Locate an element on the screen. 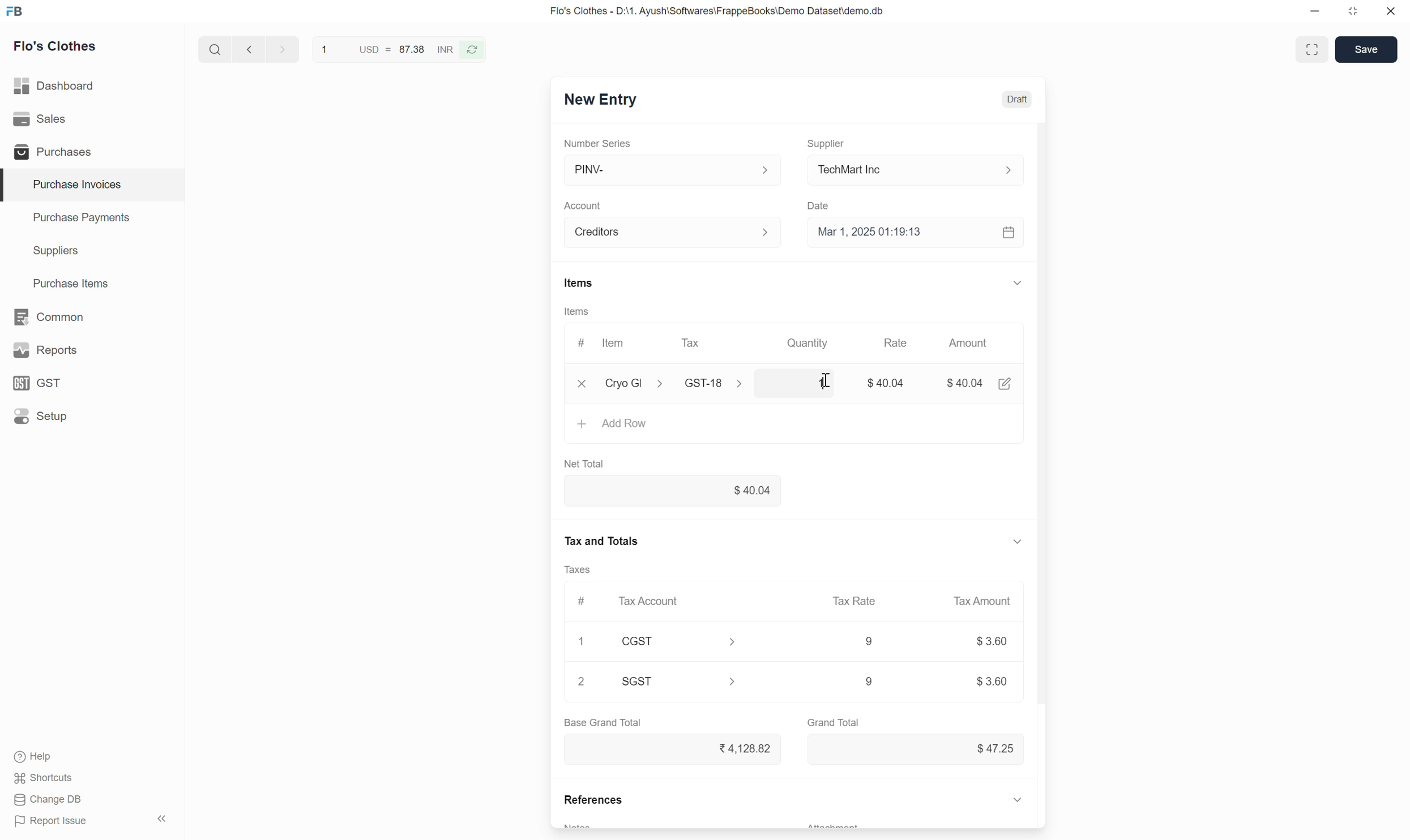 Image resolution: width=1410 pixels, height=840 pixels. Taxes is located at coordinates (582, 570).